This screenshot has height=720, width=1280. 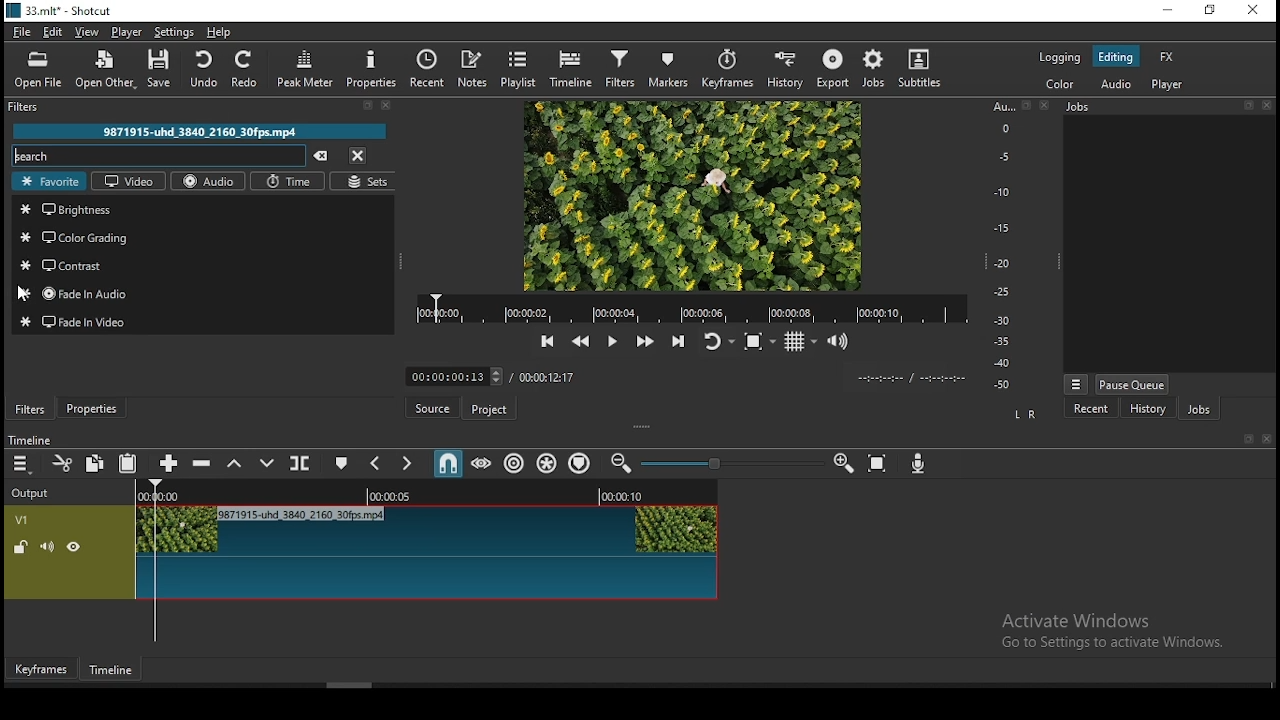 What do you see at coordinates (20, 108) in the screenshot?
I see `filters` at bounding box center [20, 108].